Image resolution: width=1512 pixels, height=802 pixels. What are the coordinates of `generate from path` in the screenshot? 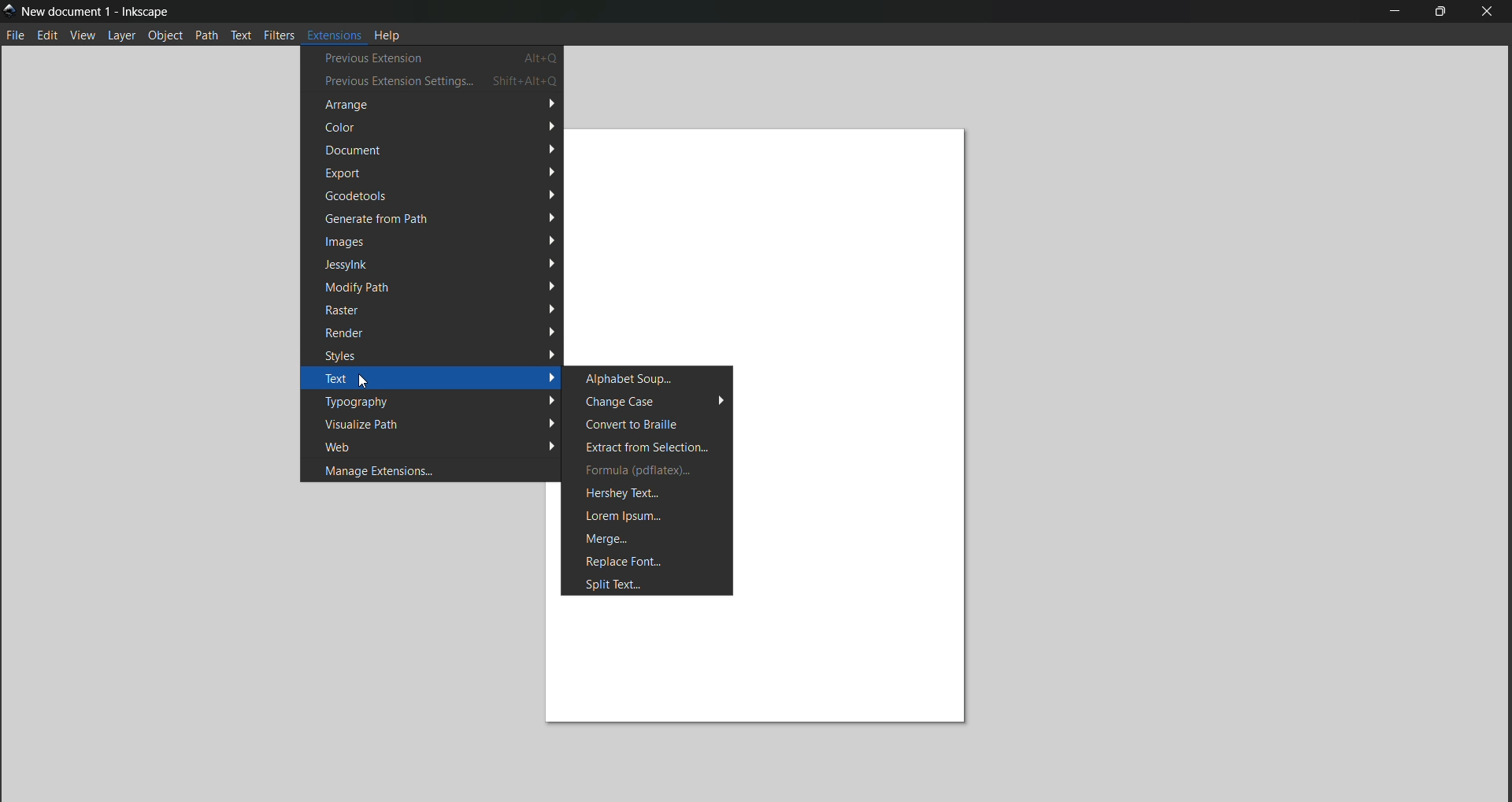 It's located at (431, 218).